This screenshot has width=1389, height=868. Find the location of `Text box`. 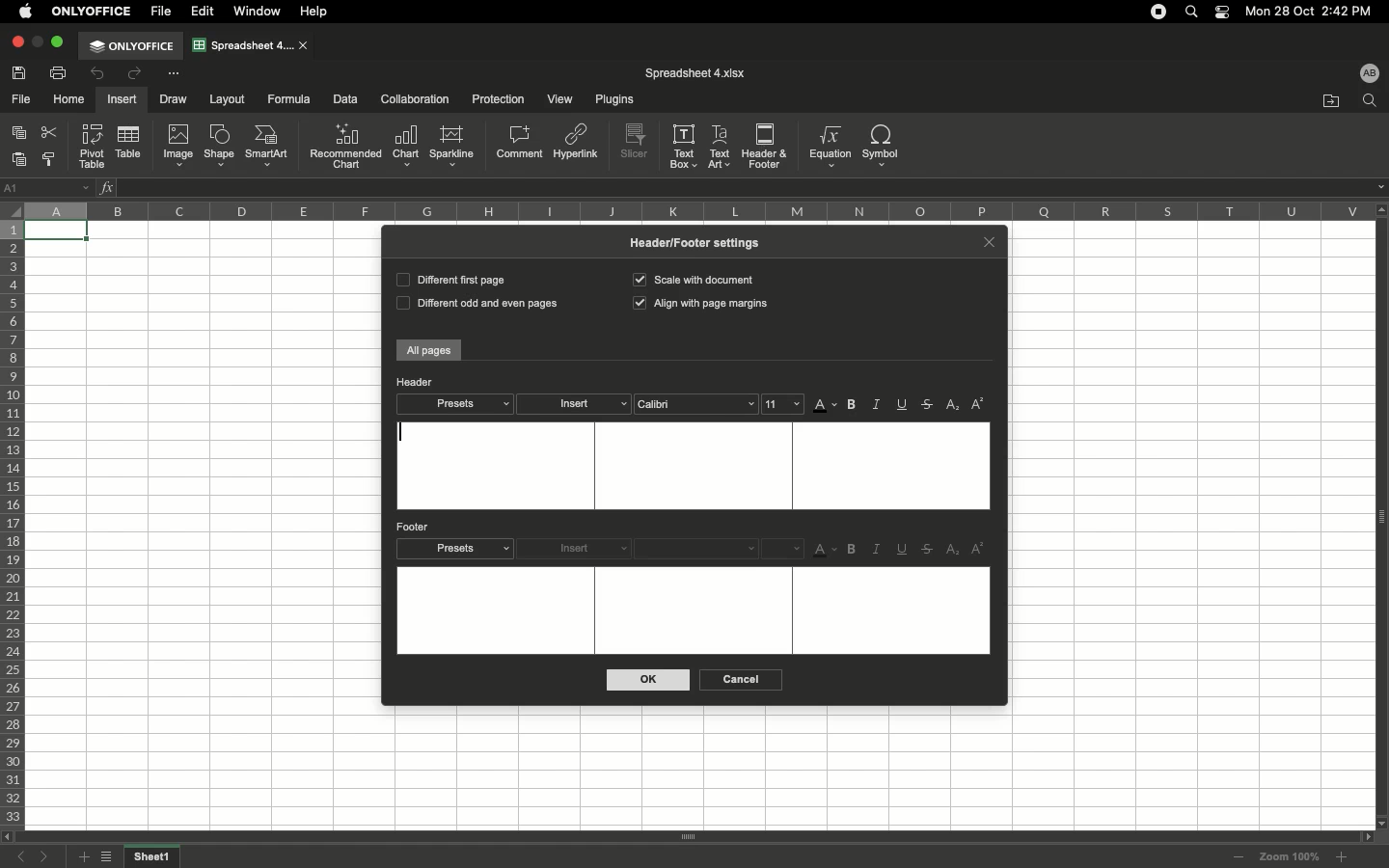

Text box is located at coordinates (694, 610).